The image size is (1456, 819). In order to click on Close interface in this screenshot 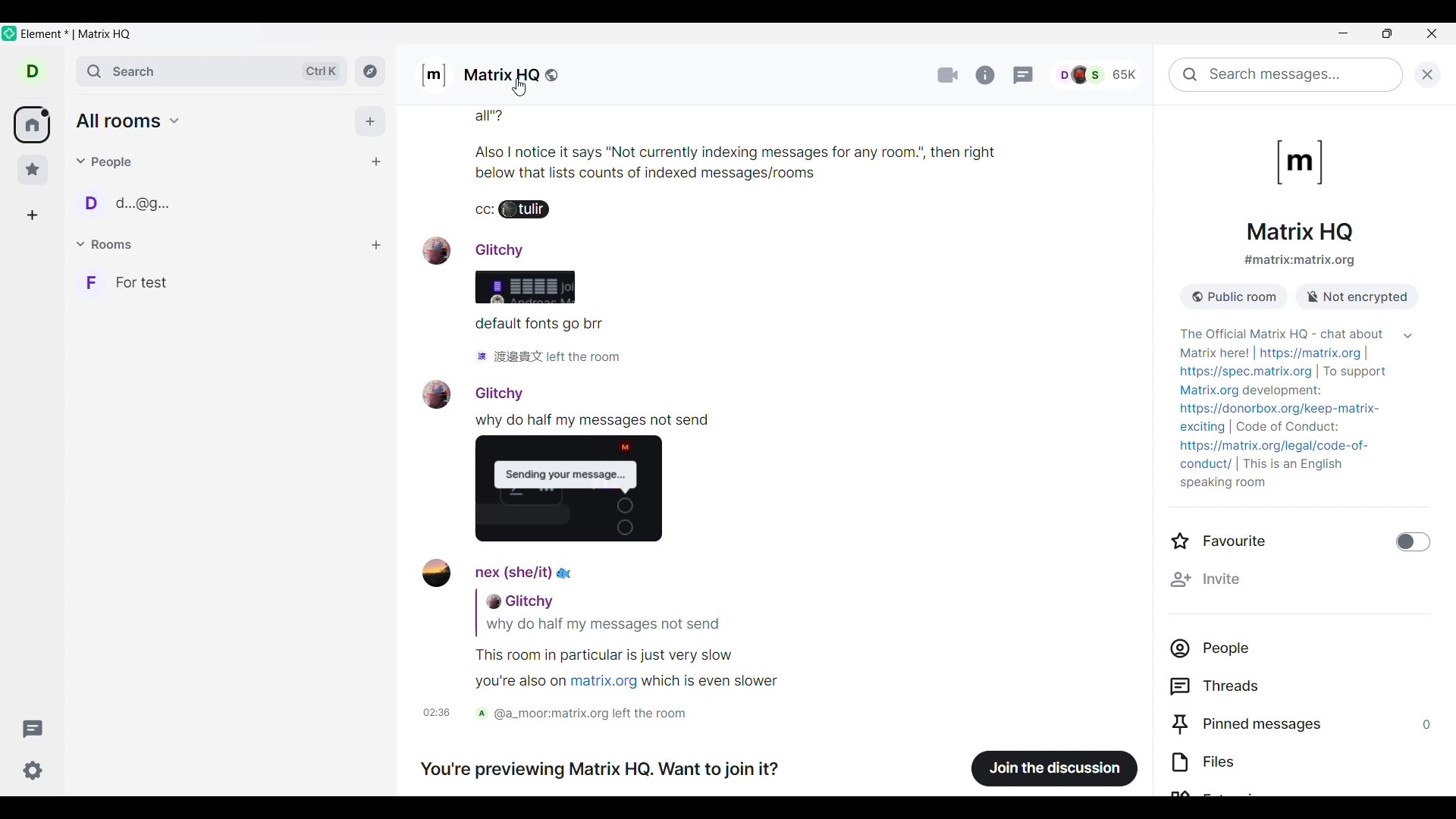, I will do `click(1432, 33)`.